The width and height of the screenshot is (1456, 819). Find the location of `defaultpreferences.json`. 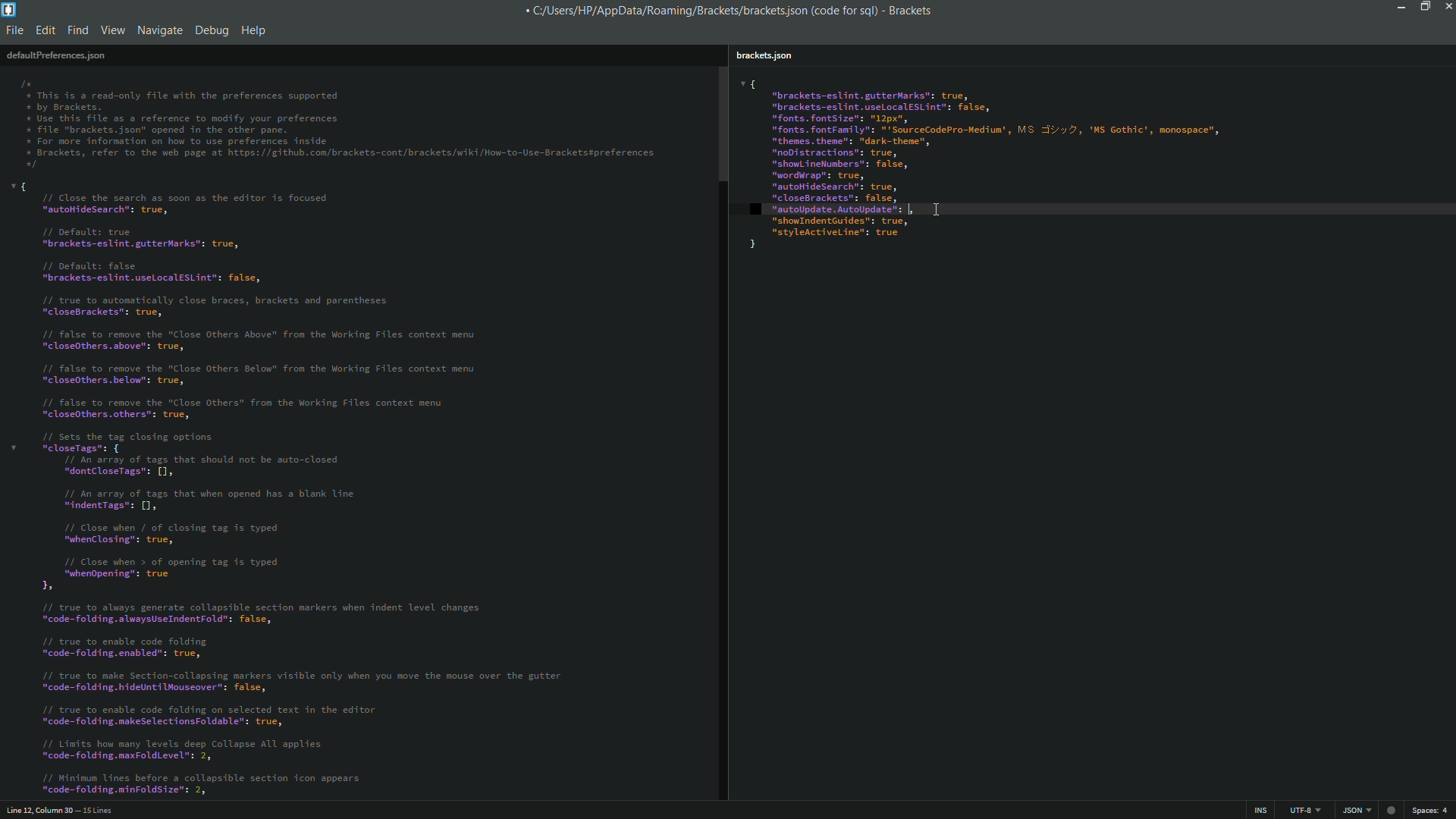

defaultpreferences.json is located at coordinates (55, 55).